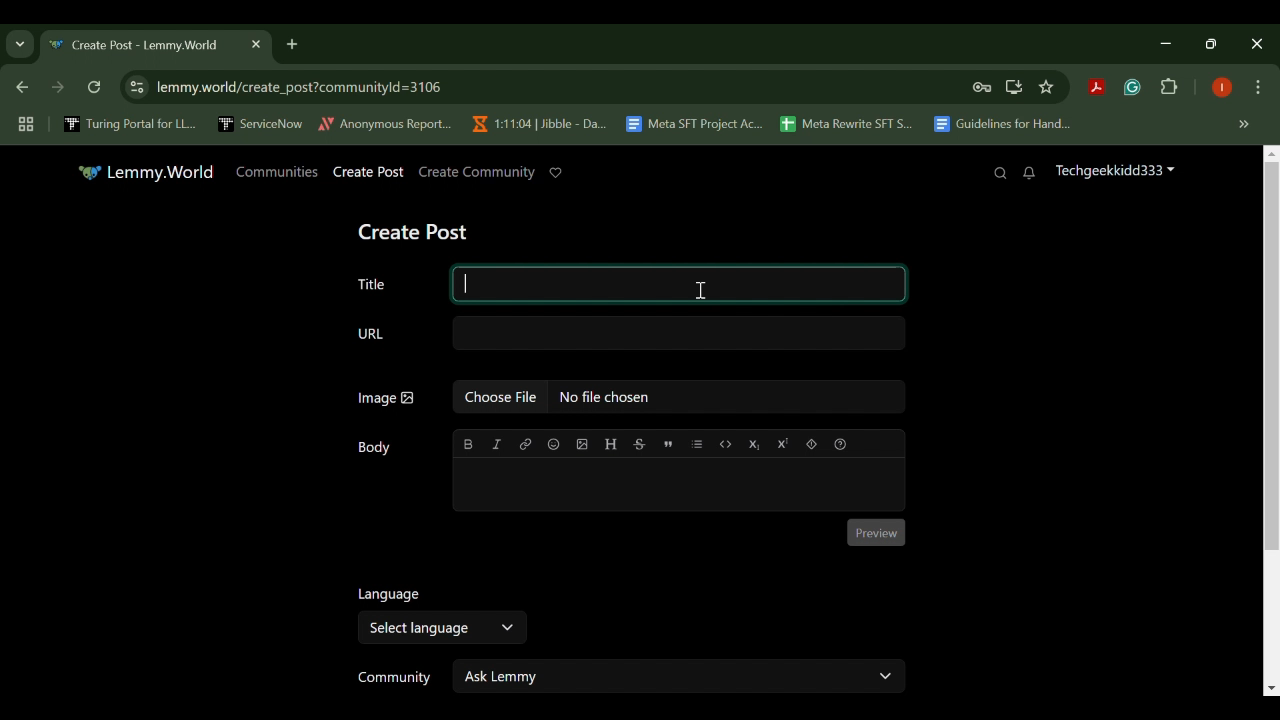 The image size is (1280, 720). I want to click on list, so click(698, 443).